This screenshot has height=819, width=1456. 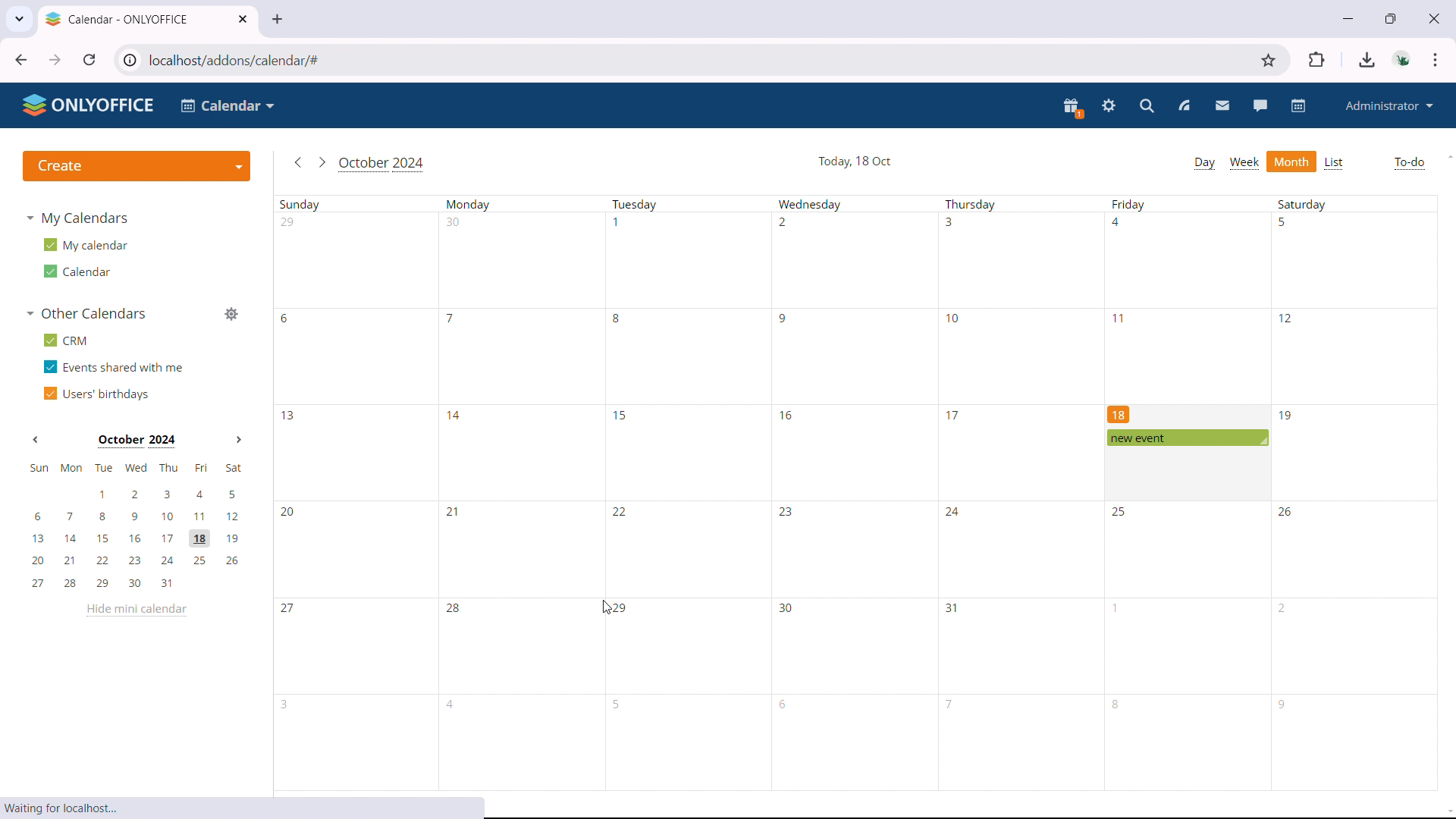 I want to click on Next month, so click(x=238, y=439).